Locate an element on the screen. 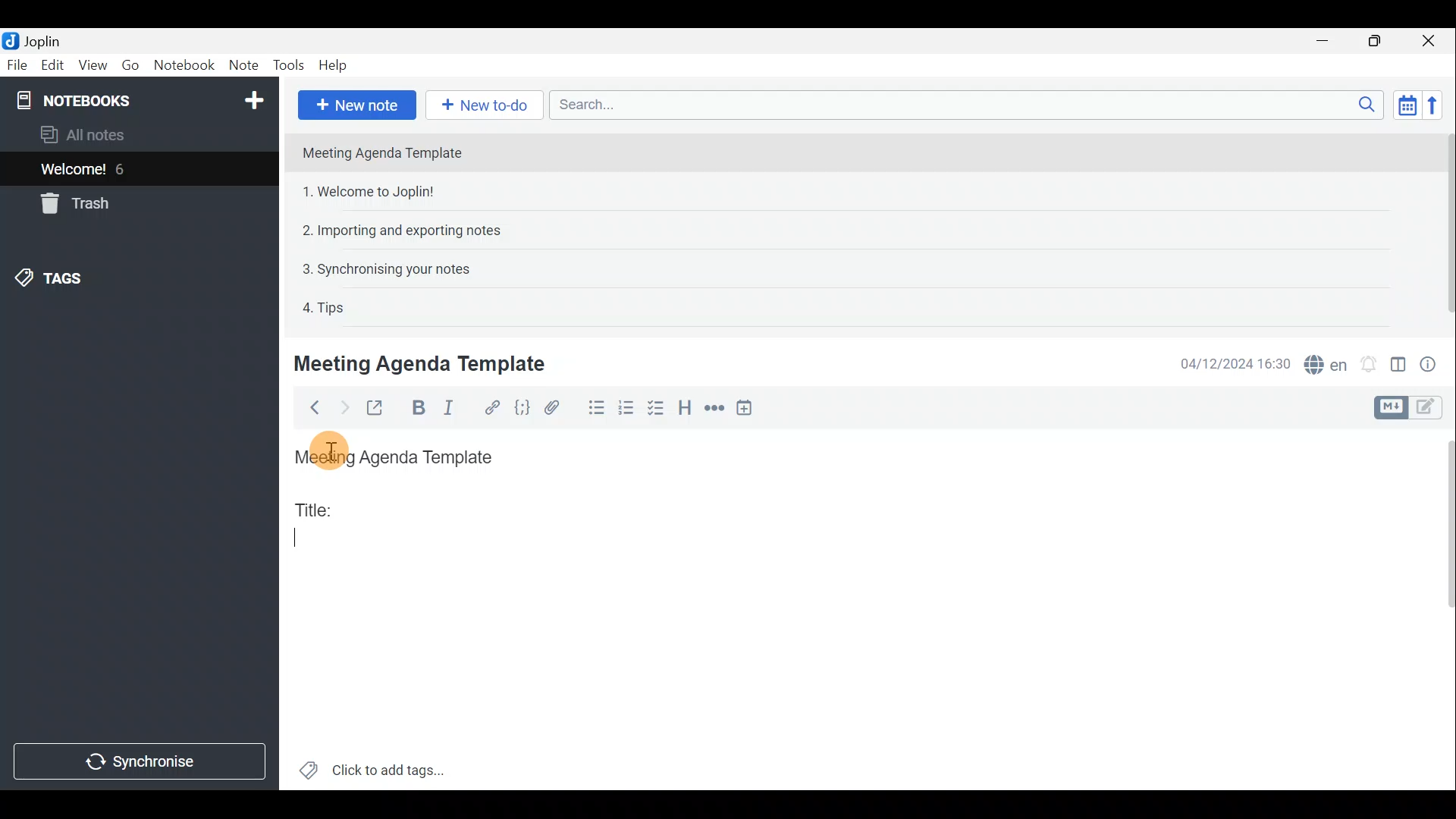  Horizontal rule is located at coordinates (714, 410).